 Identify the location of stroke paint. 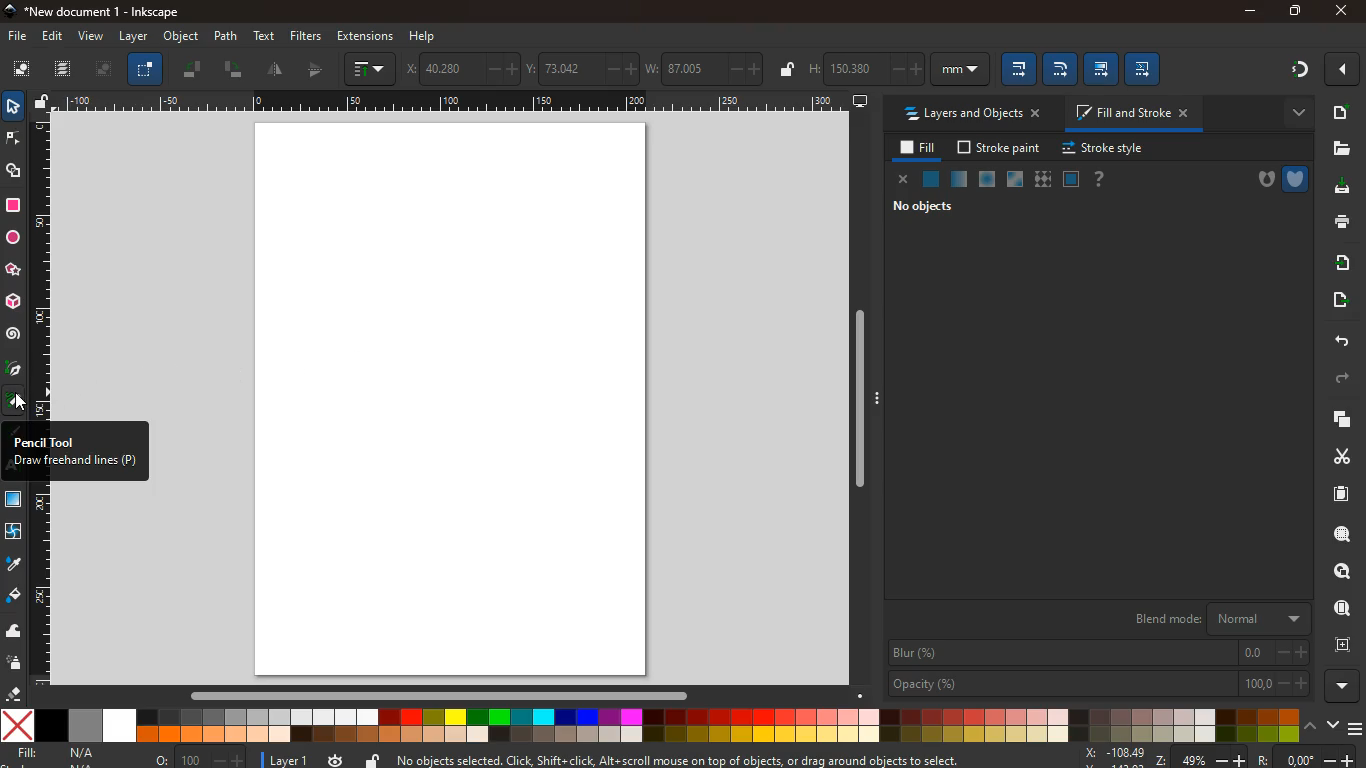
(1001, 147).